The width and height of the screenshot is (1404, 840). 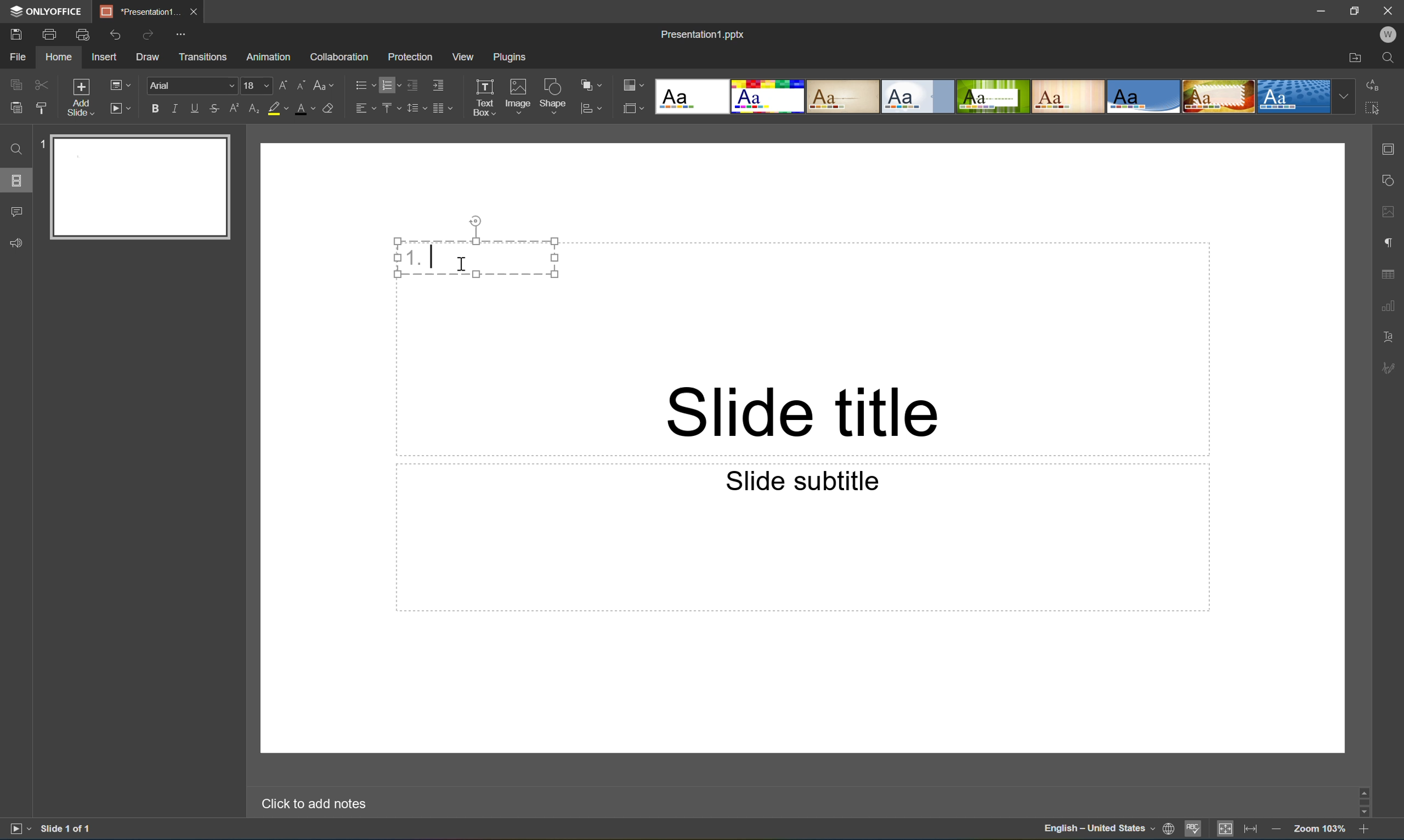 What do you see at coordinates (51, 36) in the screenshot?
I see `Print file` at bounding box center [51, 36].